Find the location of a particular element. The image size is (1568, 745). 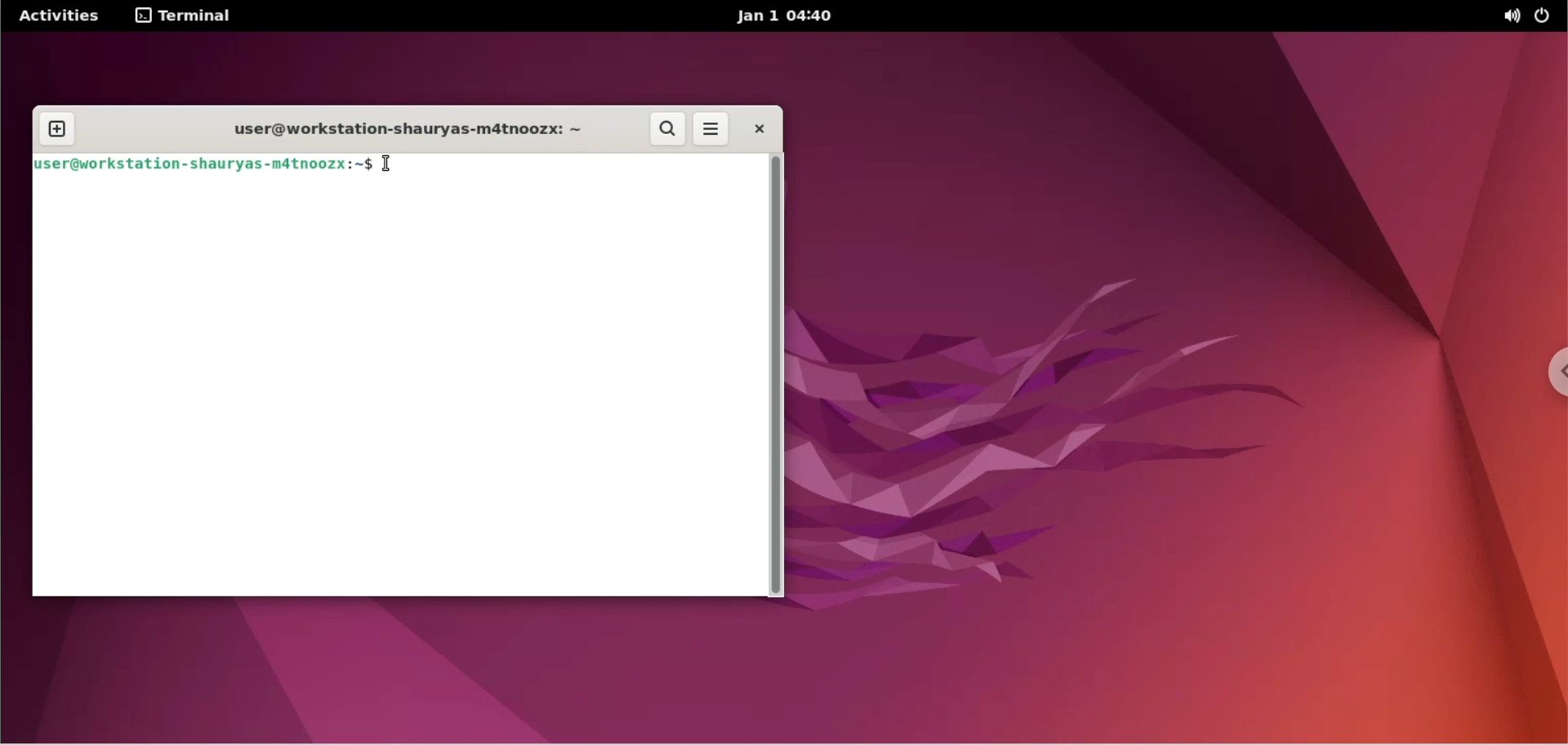

more options is located at coordinates (714, 129).